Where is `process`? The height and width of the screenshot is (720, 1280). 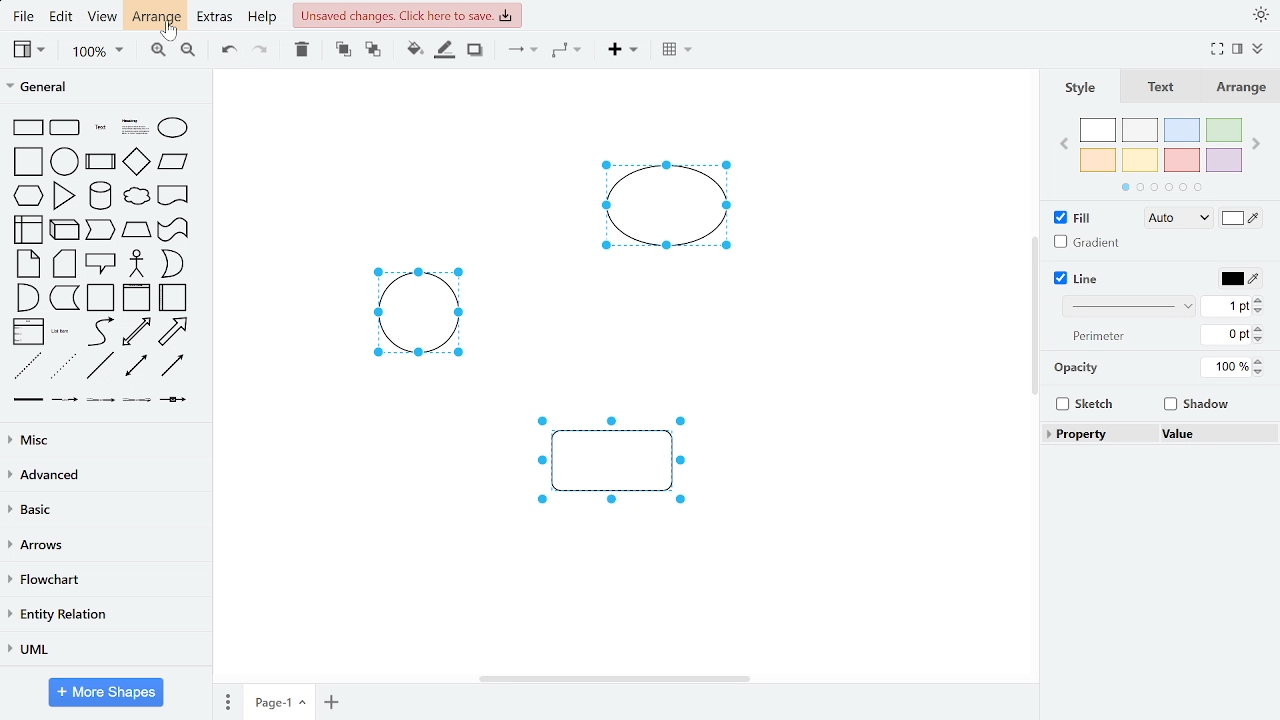
process is located at coordinates (101, 161).